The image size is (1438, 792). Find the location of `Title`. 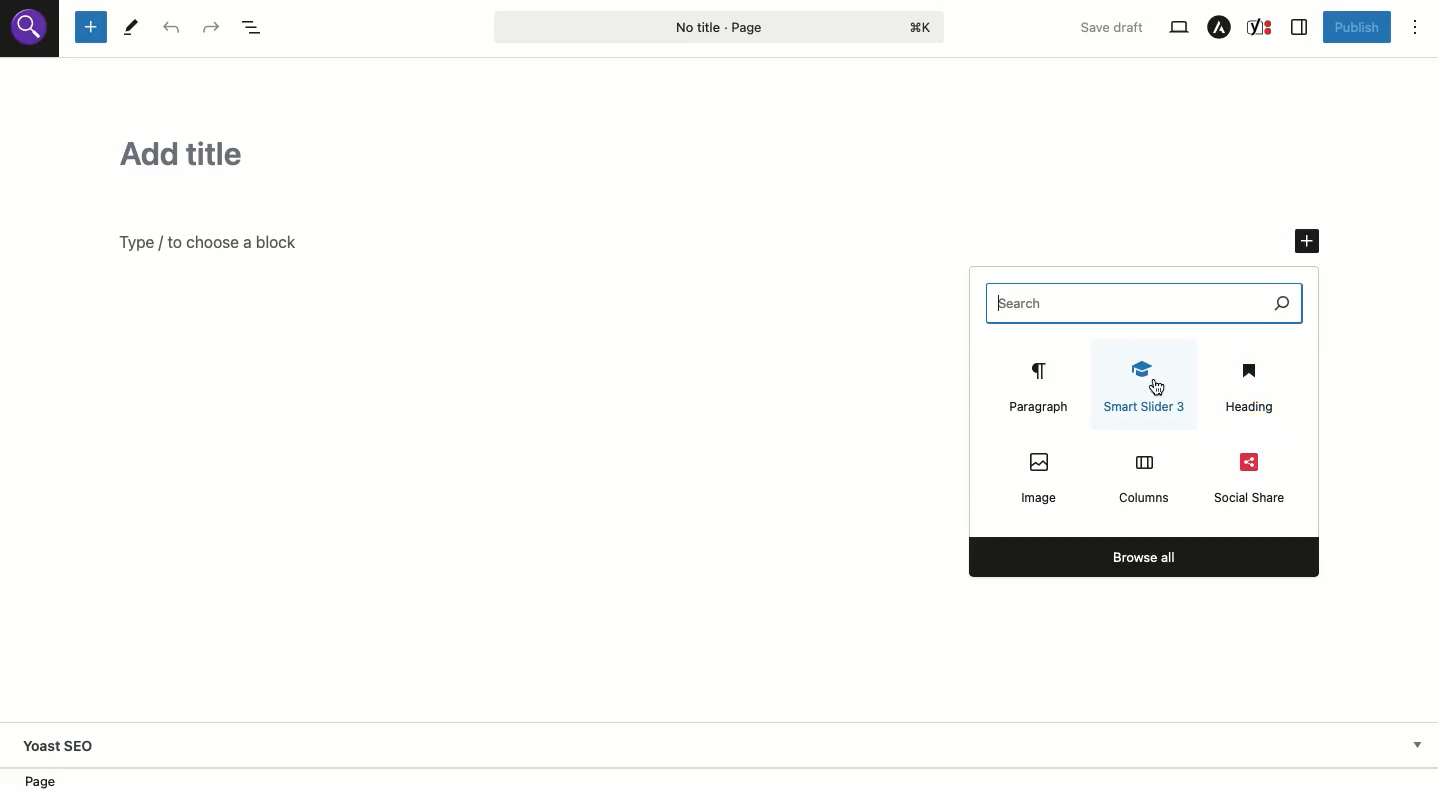

Title is located at coordinates (699, 152).